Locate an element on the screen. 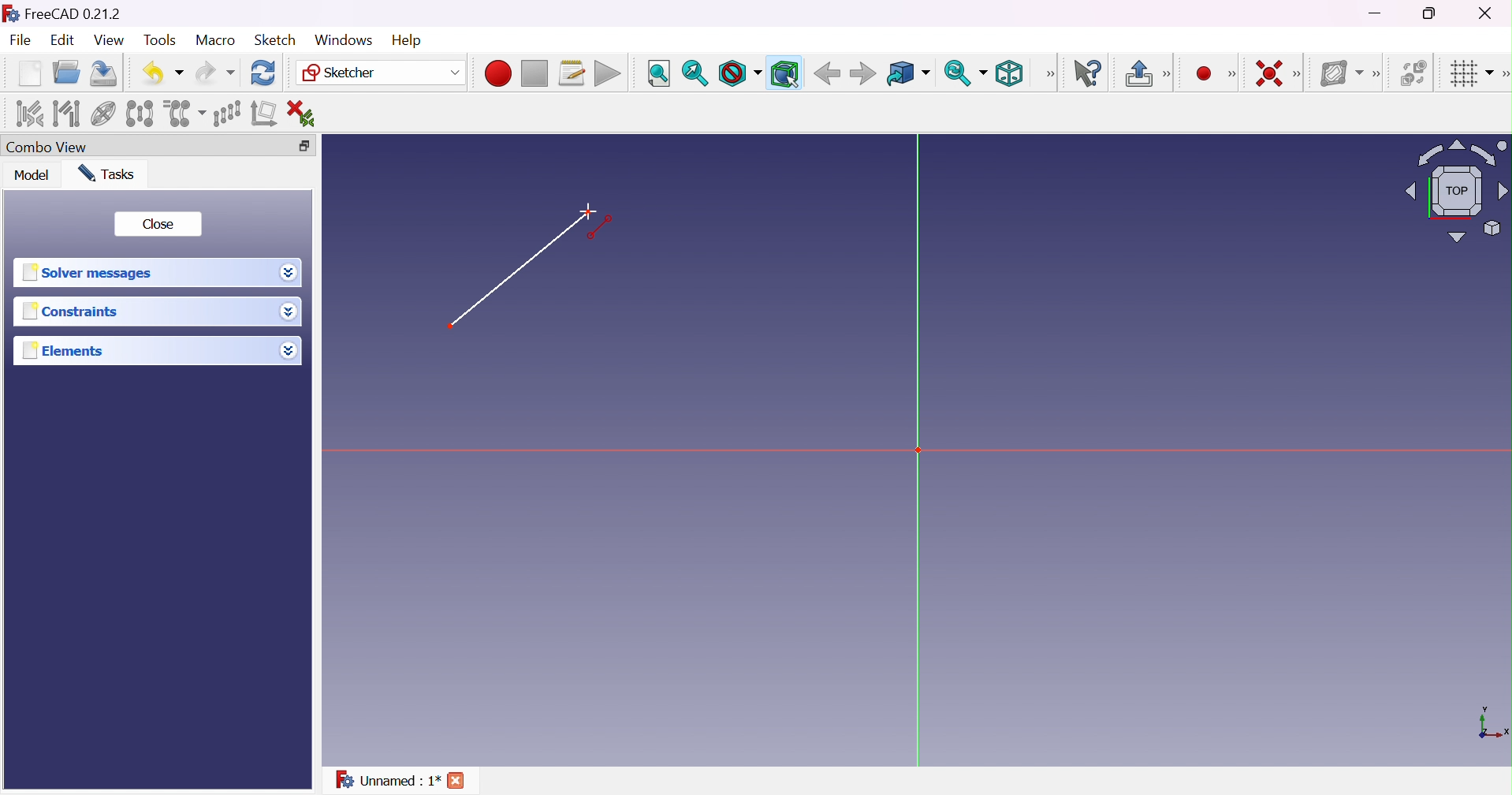 The width and height of the screenshot is (1512, 795). Show/hide internal geometry is located at coordinates (102, 114).